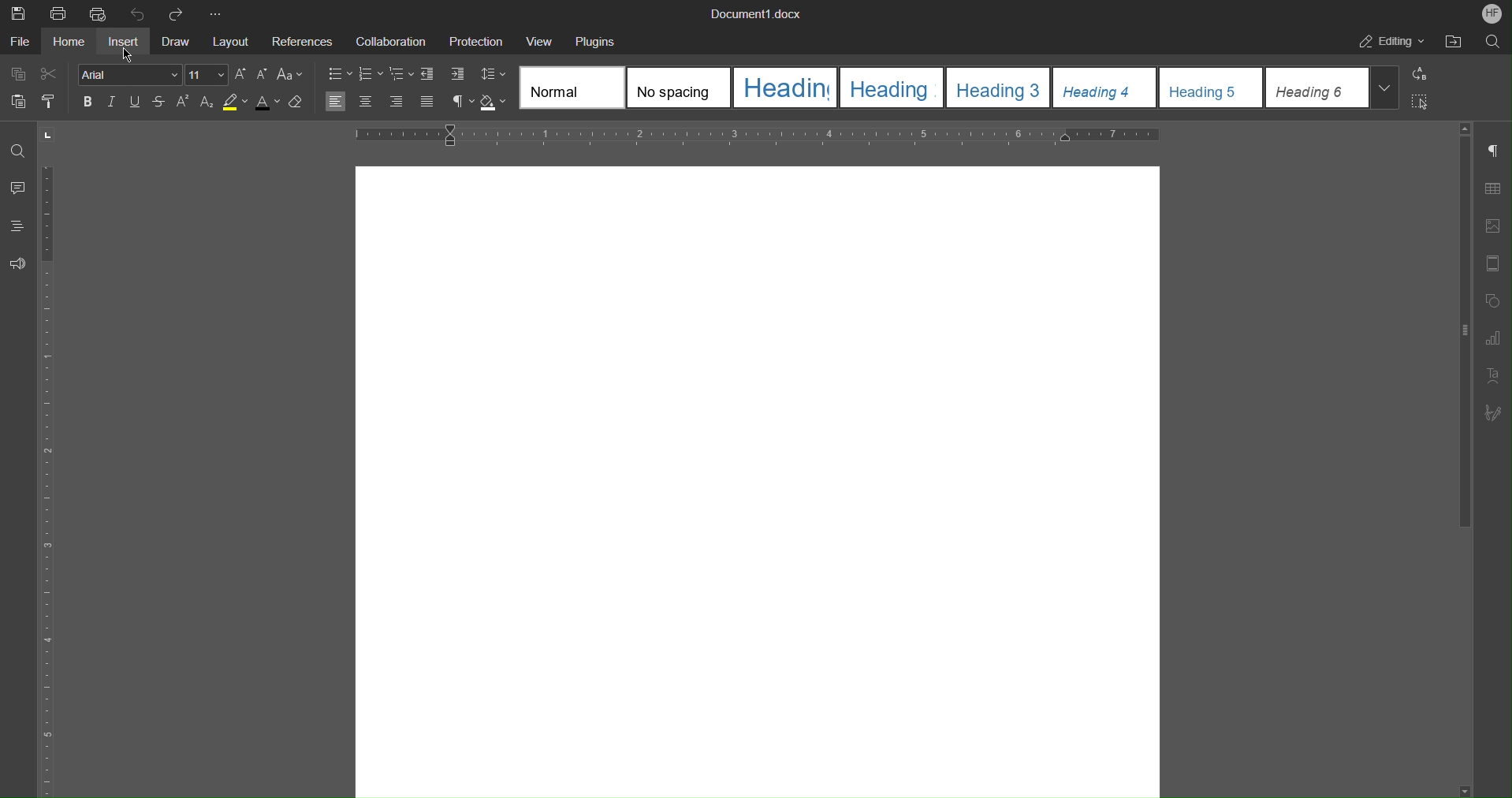  What do you see at coordinates (1002, 89) in the screenshot?
I see `Heading 3` at bounding box center [1002, 89].